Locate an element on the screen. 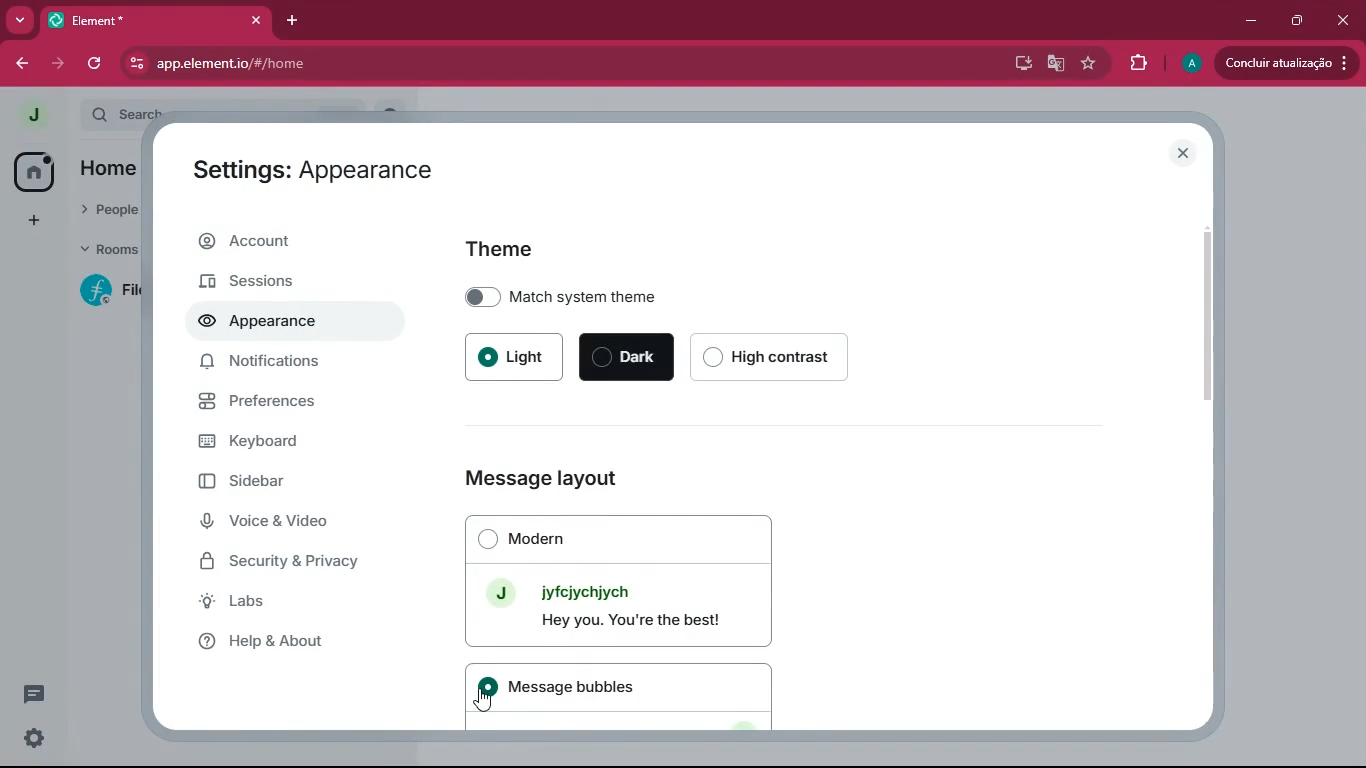 This screenshot has height=768, width=1366. add tab is located at coordinates (288, 19).